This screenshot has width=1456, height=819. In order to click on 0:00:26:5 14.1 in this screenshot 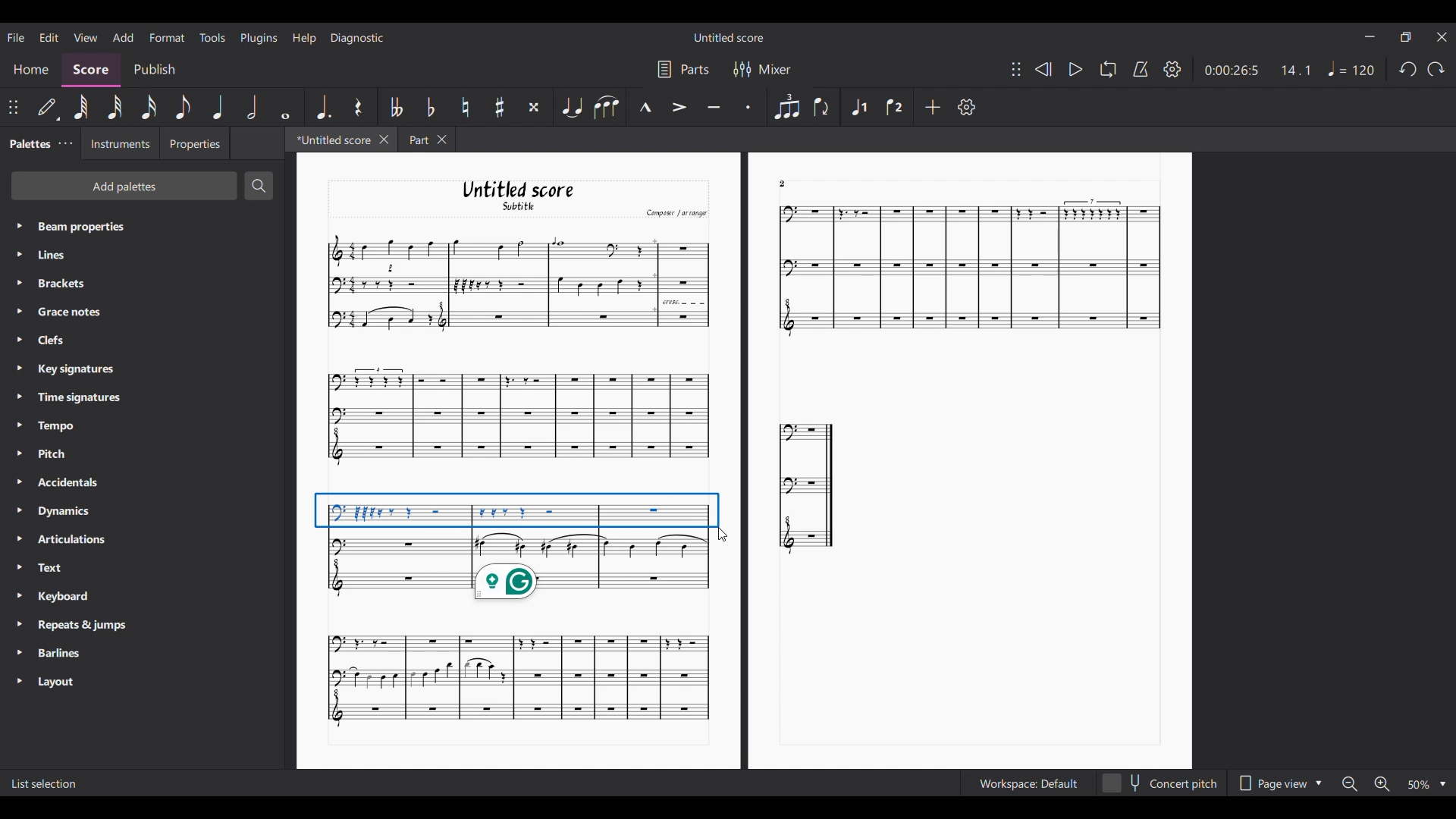, I will do `click(1263, 69)`.